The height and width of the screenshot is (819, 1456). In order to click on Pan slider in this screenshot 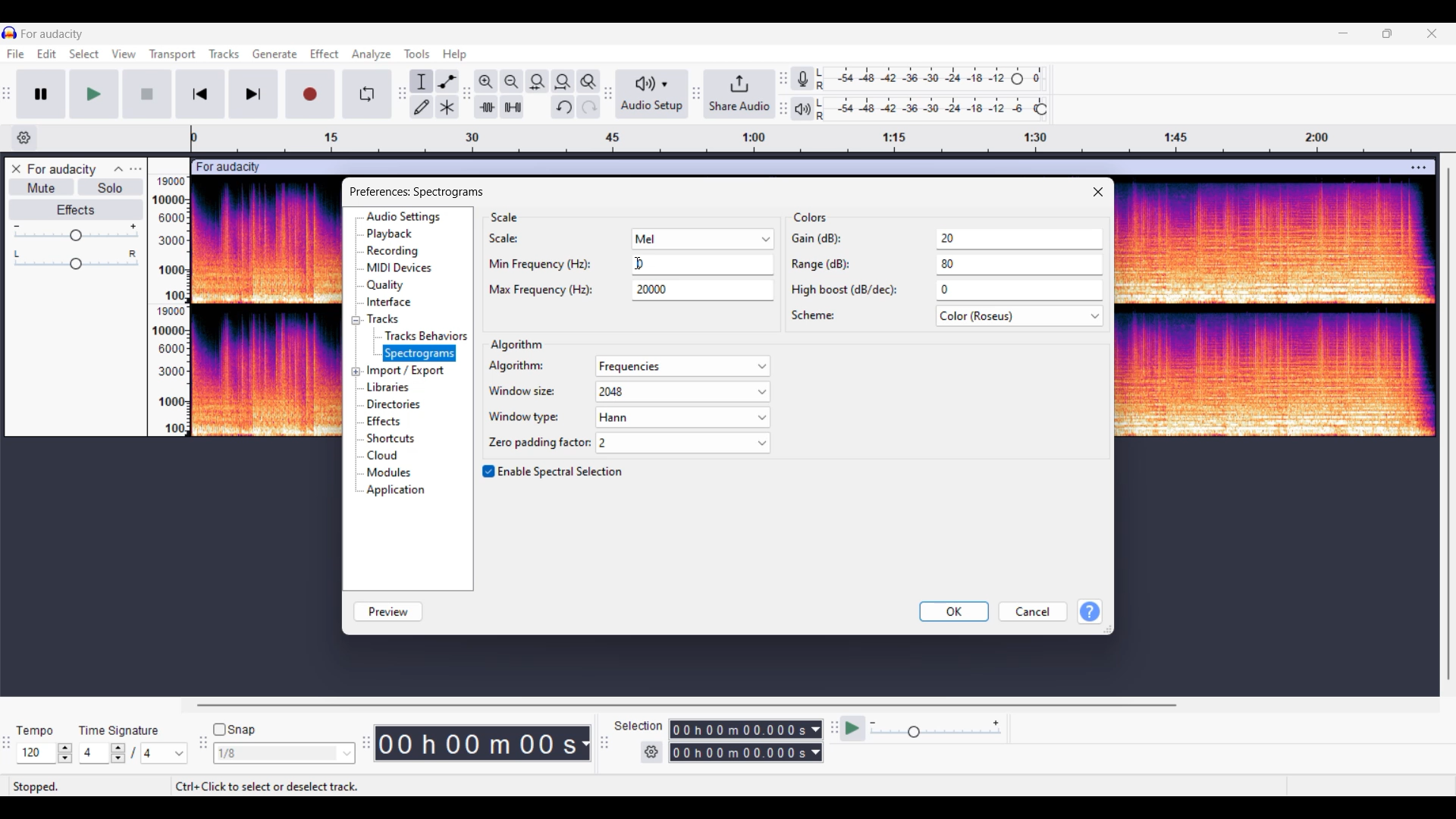, I will do `click(76, 260)`.